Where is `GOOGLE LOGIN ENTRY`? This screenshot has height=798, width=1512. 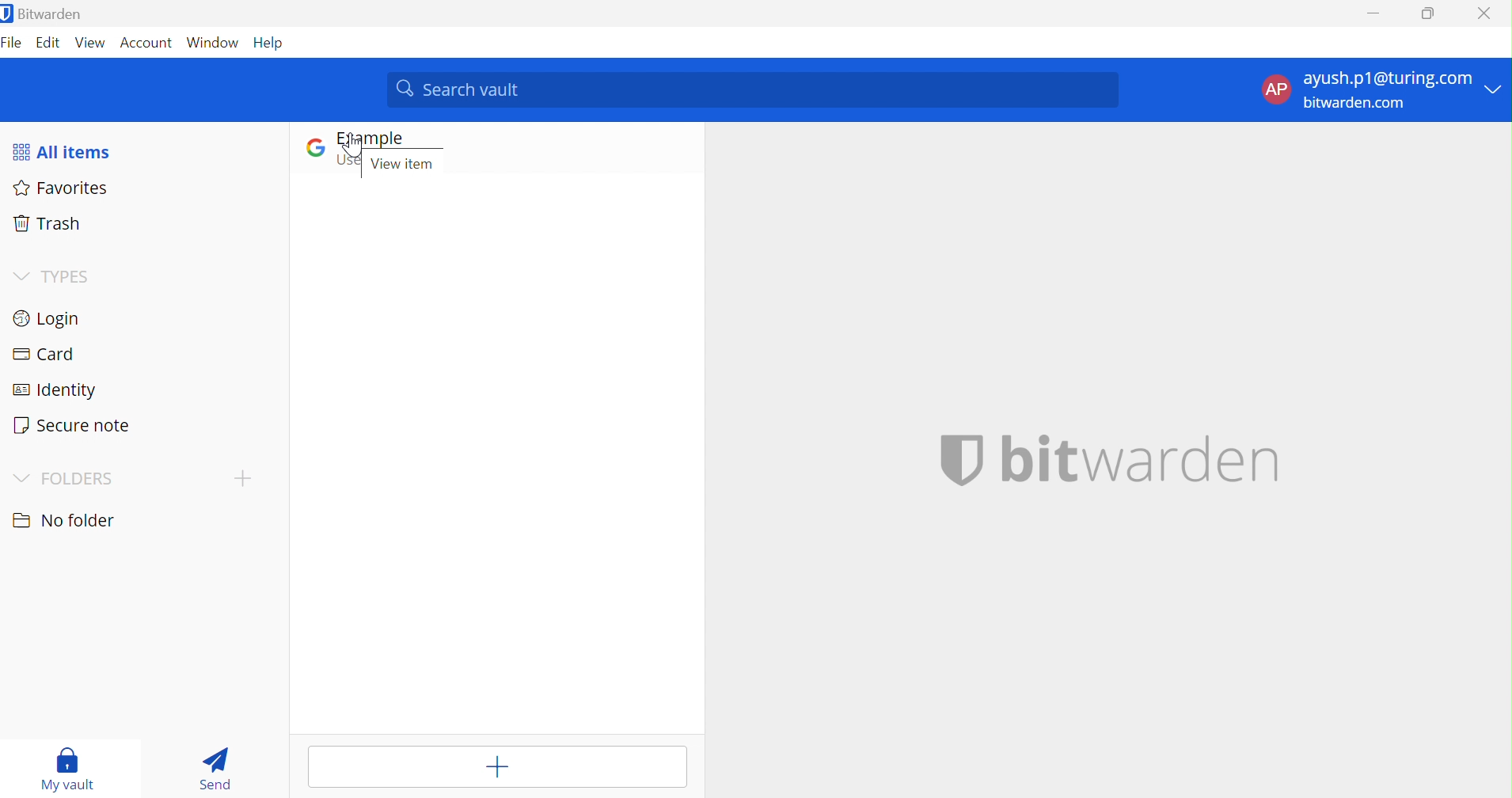
GOOGLE LOGIN ENTRY is located at coordinates (394, 151).